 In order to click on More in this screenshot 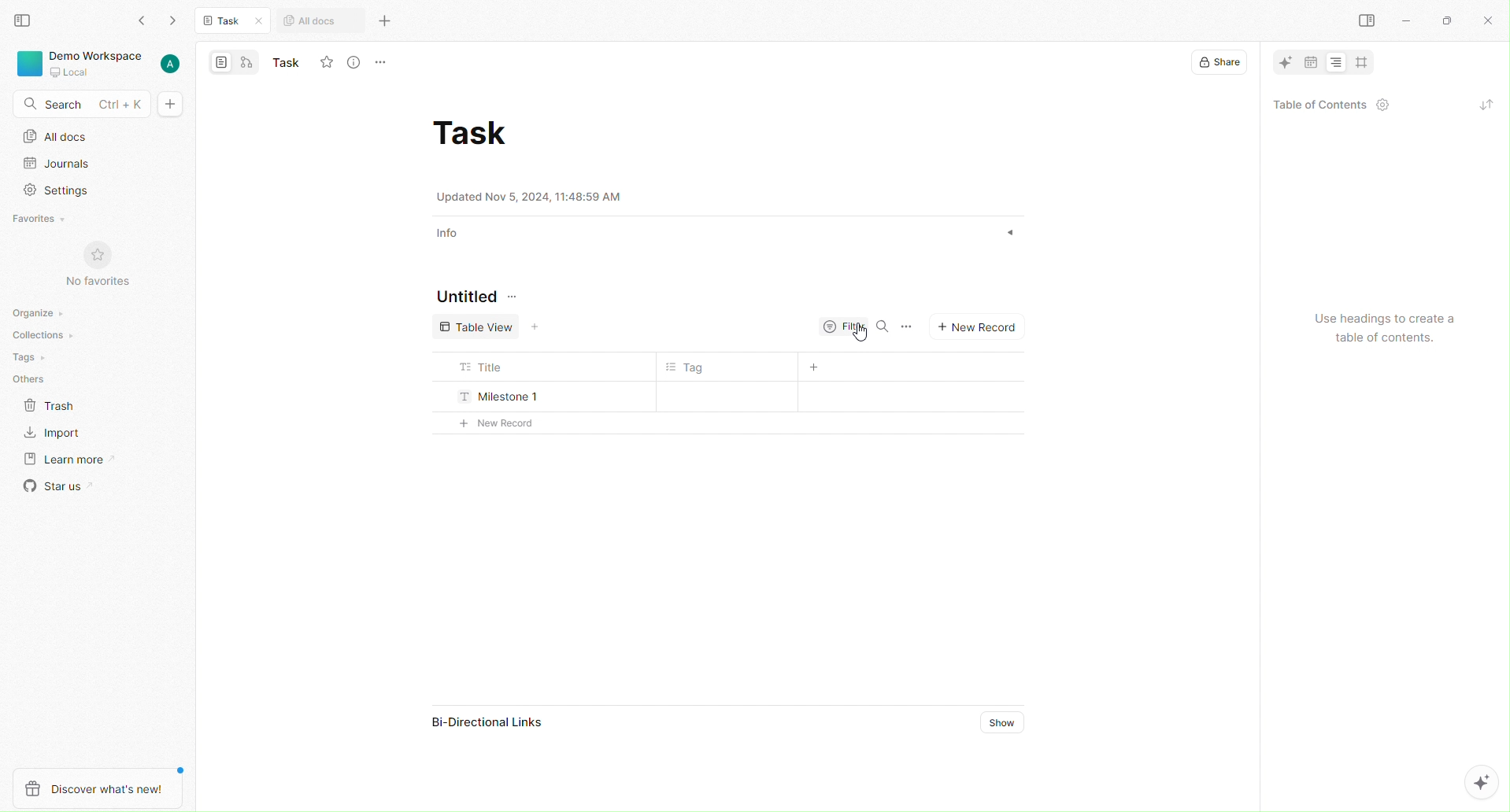, I will do `click(387, 60)`.